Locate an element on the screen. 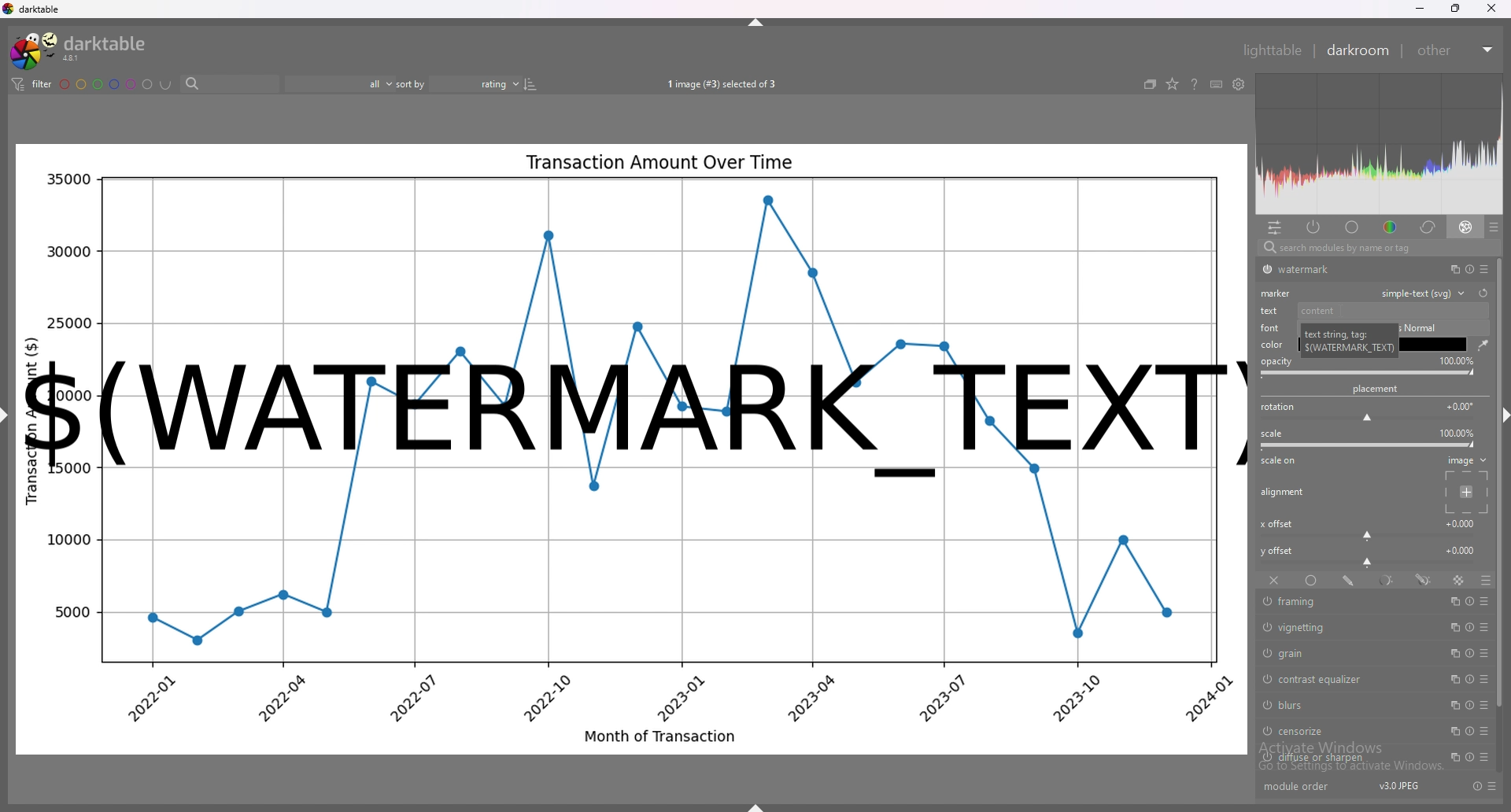  change type of overlays is located at coordinates (1173, 85).